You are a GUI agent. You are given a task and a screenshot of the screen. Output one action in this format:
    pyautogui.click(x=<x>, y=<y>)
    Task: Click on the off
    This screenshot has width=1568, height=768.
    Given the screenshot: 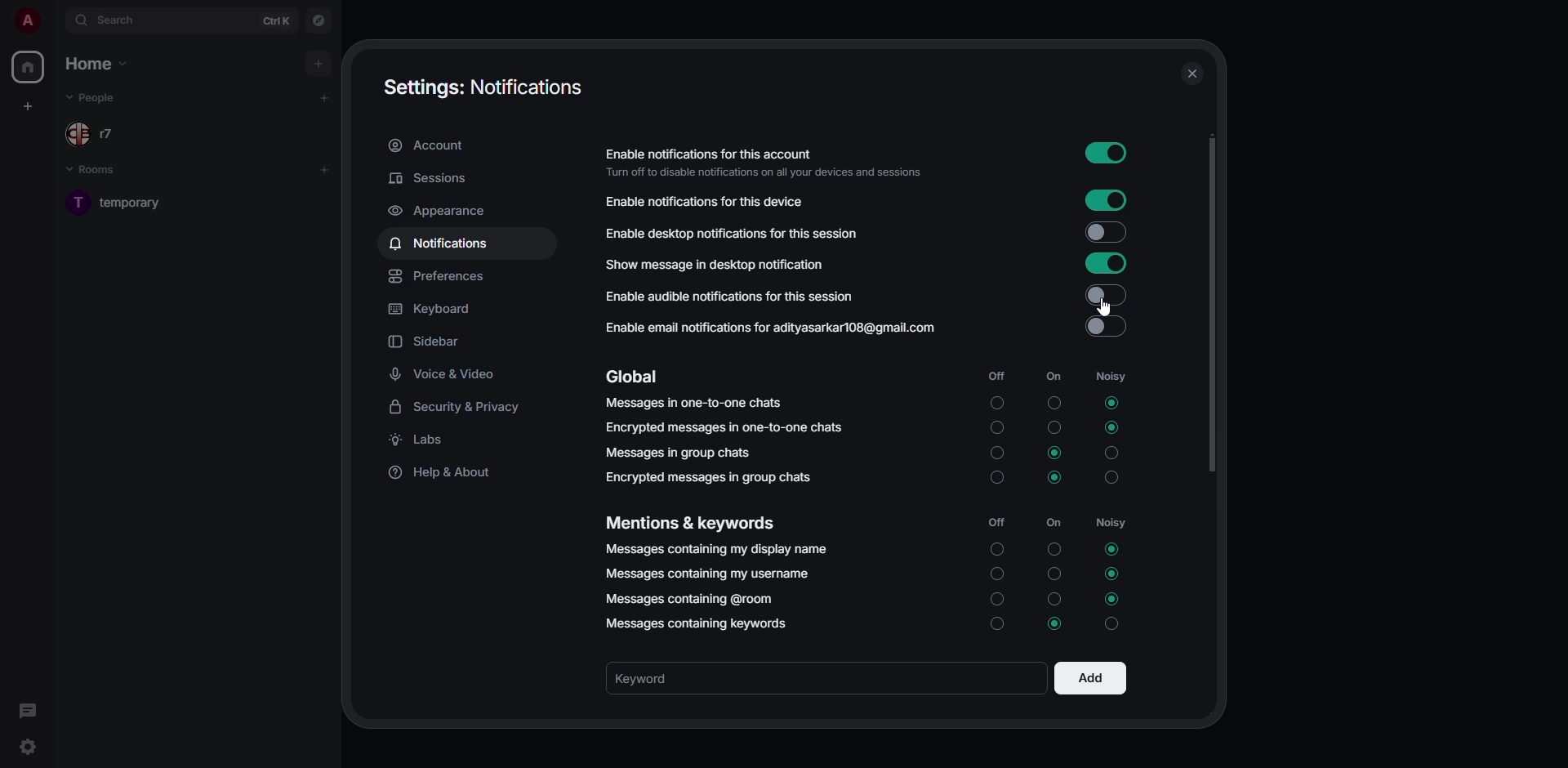 What is the action you would take?
    pyautogui.click(x=996, y=550)
    